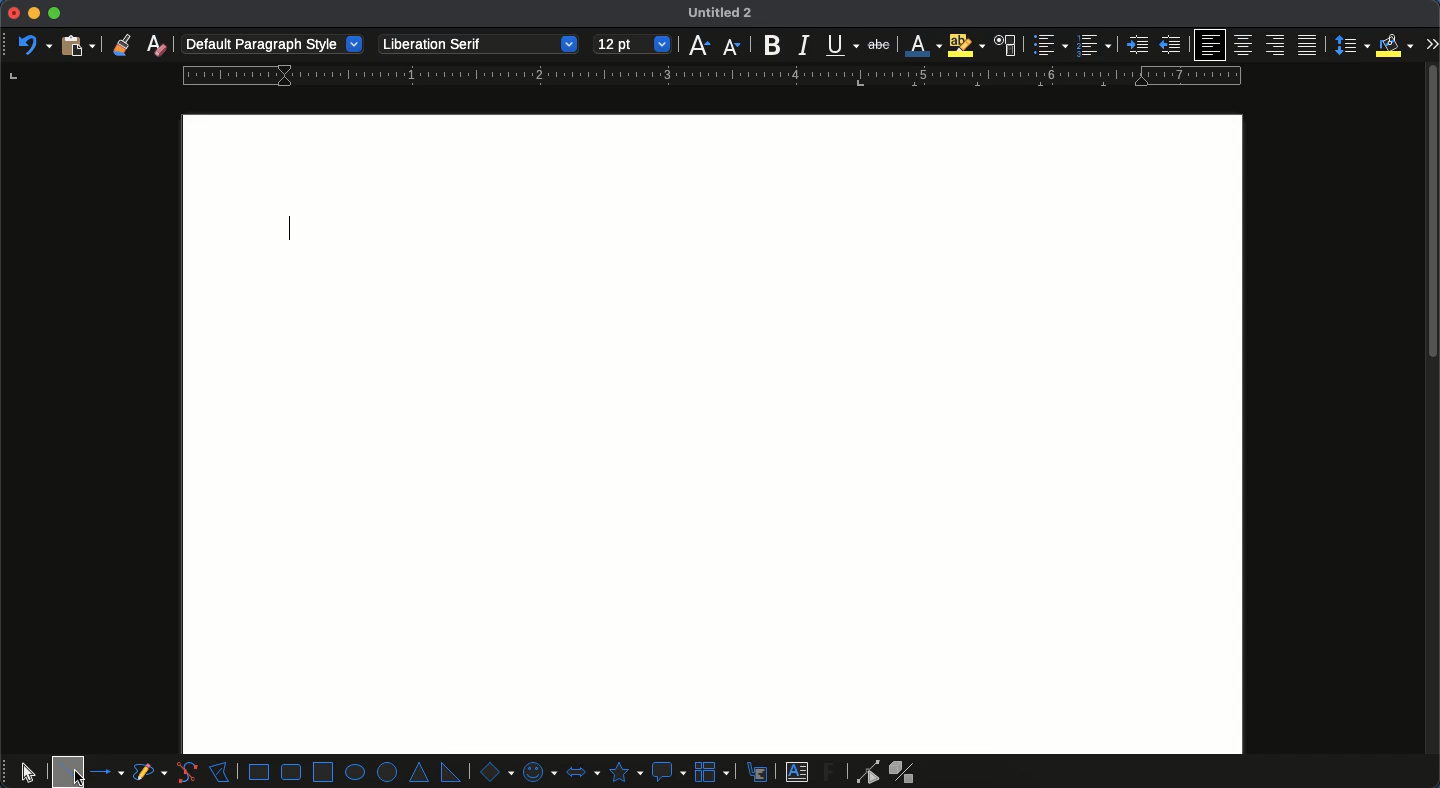 The image size is (1440, 788). What do you see at coordinates (28, 769) in the screenshot?
I see `select` at bounding box center [28, 769].